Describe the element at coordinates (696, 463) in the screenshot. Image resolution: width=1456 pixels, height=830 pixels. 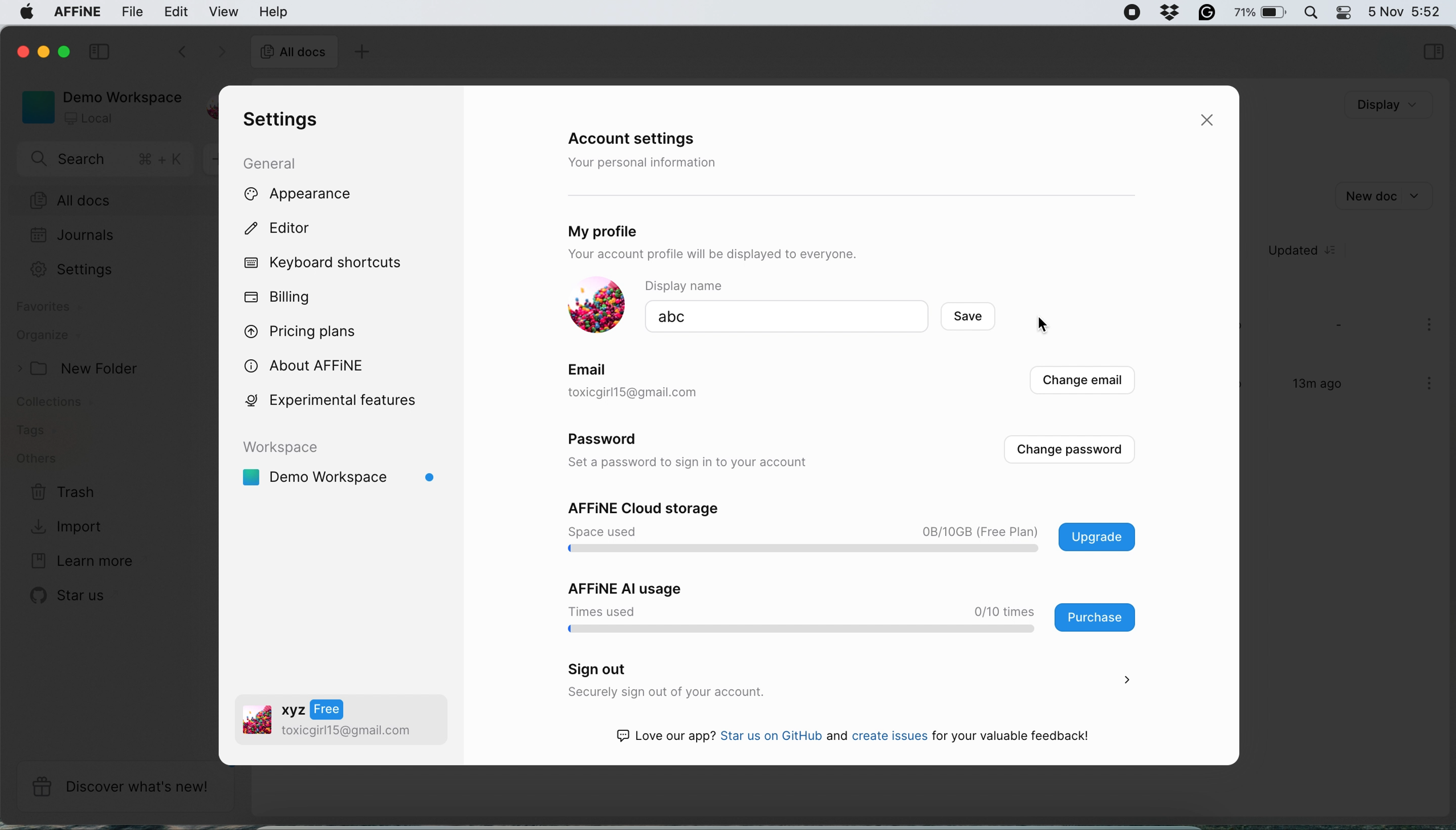
I see `set a password to sign in to your account` at that location.